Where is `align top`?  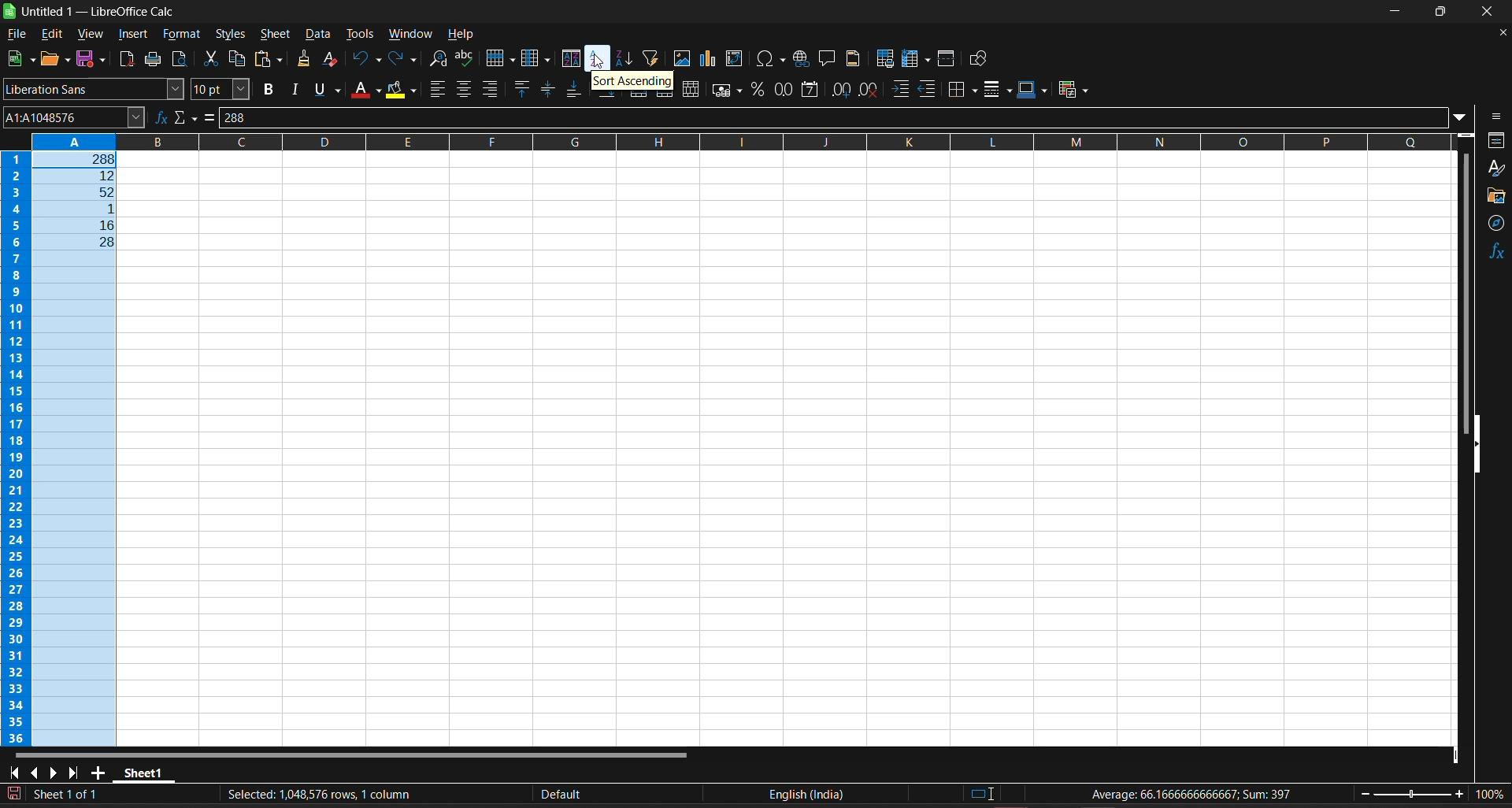
align top is located at coordinates (520, 89).